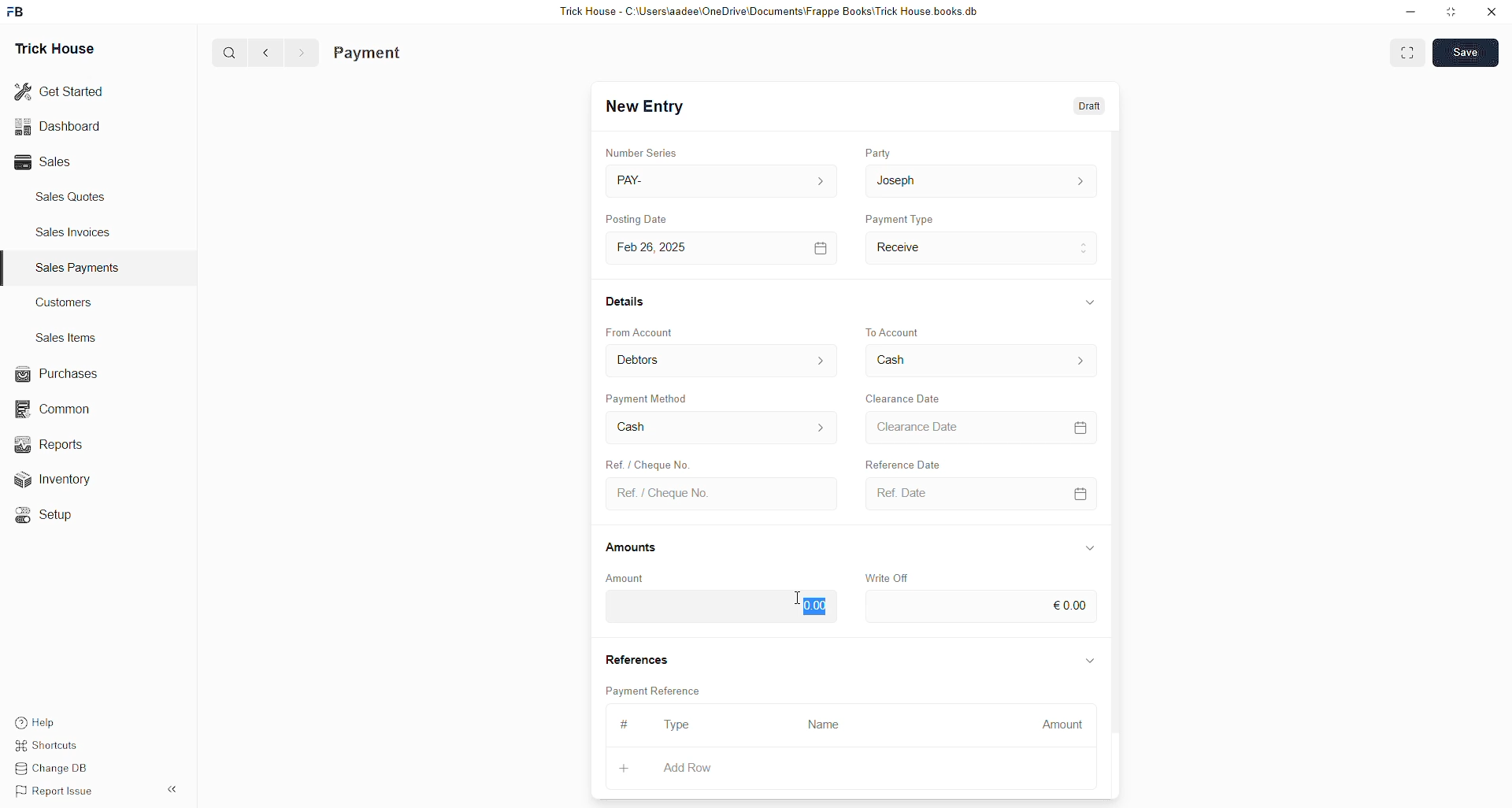 The height and width of the screenshot is (808, 1512). Describe the element at coordinates (770, 12) in the screenshot. I see `Trick House - C:\Users\aadee\OneDrive\Documents\Frappe Books\Trick House books db` at that location.